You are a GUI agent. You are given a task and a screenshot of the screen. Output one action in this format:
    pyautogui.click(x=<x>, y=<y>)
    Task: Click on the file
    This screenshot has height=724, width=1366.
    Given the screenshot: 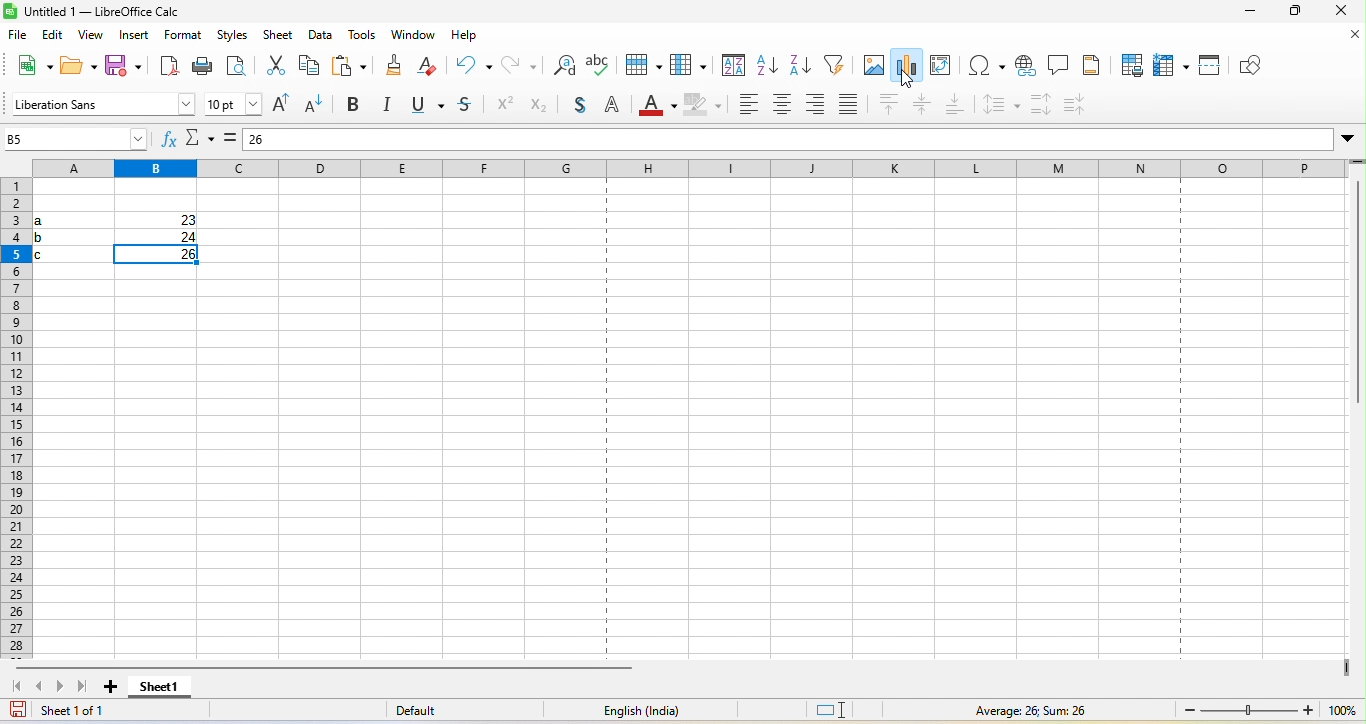 What is the action you would take?
    pyautogui.click(x=23, y=36)
    